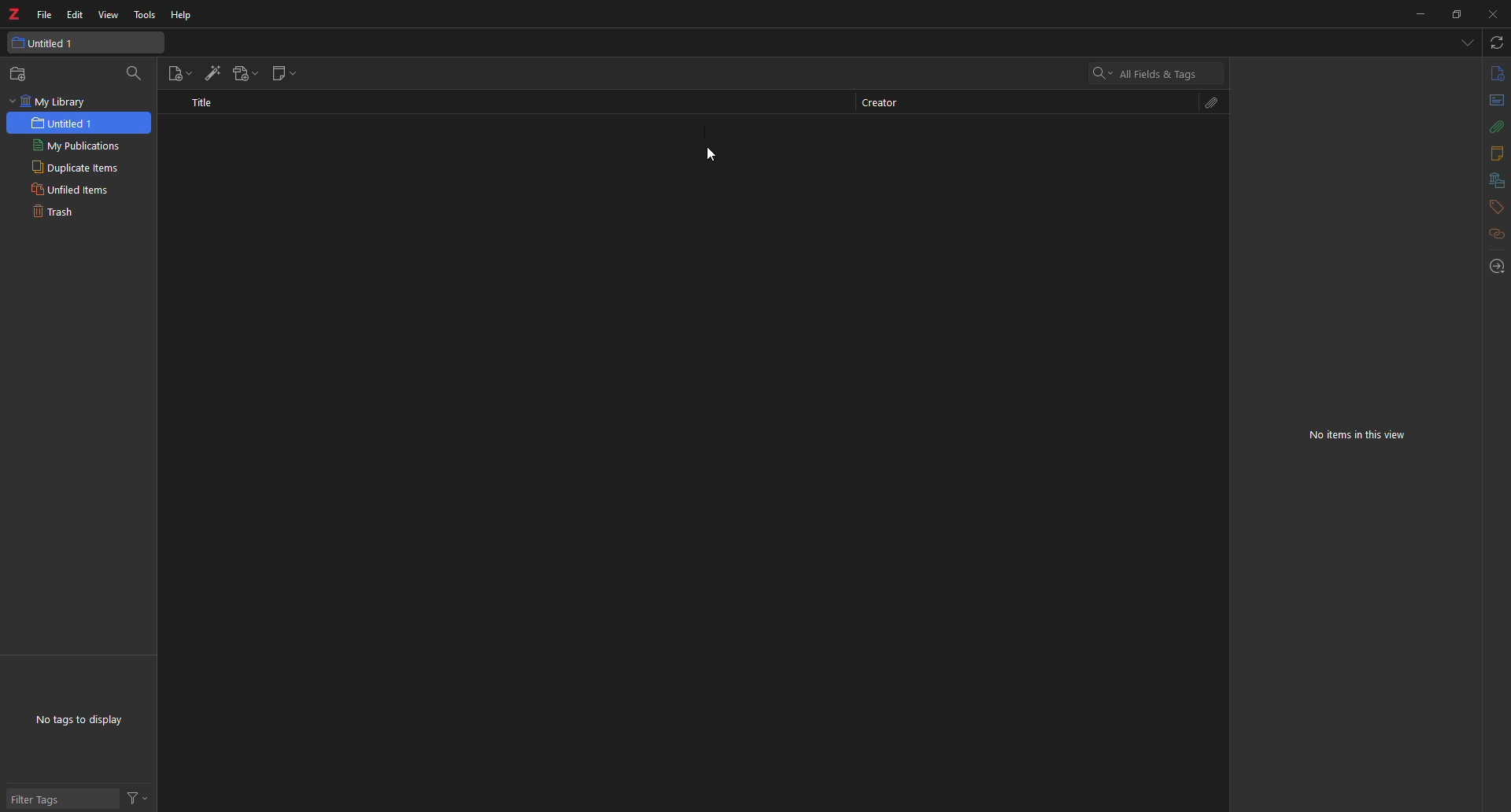 The height and width of the screenshot is (812, 1511). I want to click on tags, so click(1496, 207).